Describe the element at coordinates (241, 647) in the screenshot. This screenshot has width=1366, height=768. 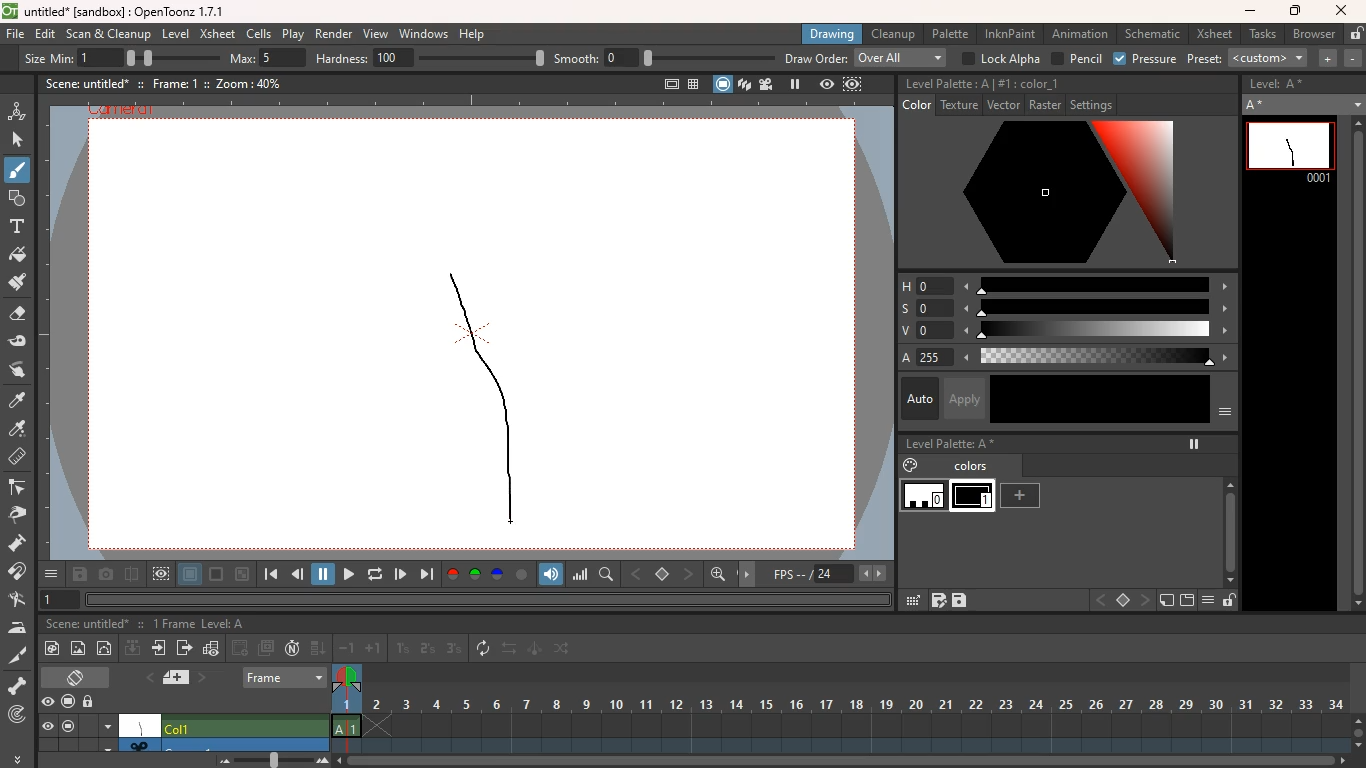
I see `back` at that location.